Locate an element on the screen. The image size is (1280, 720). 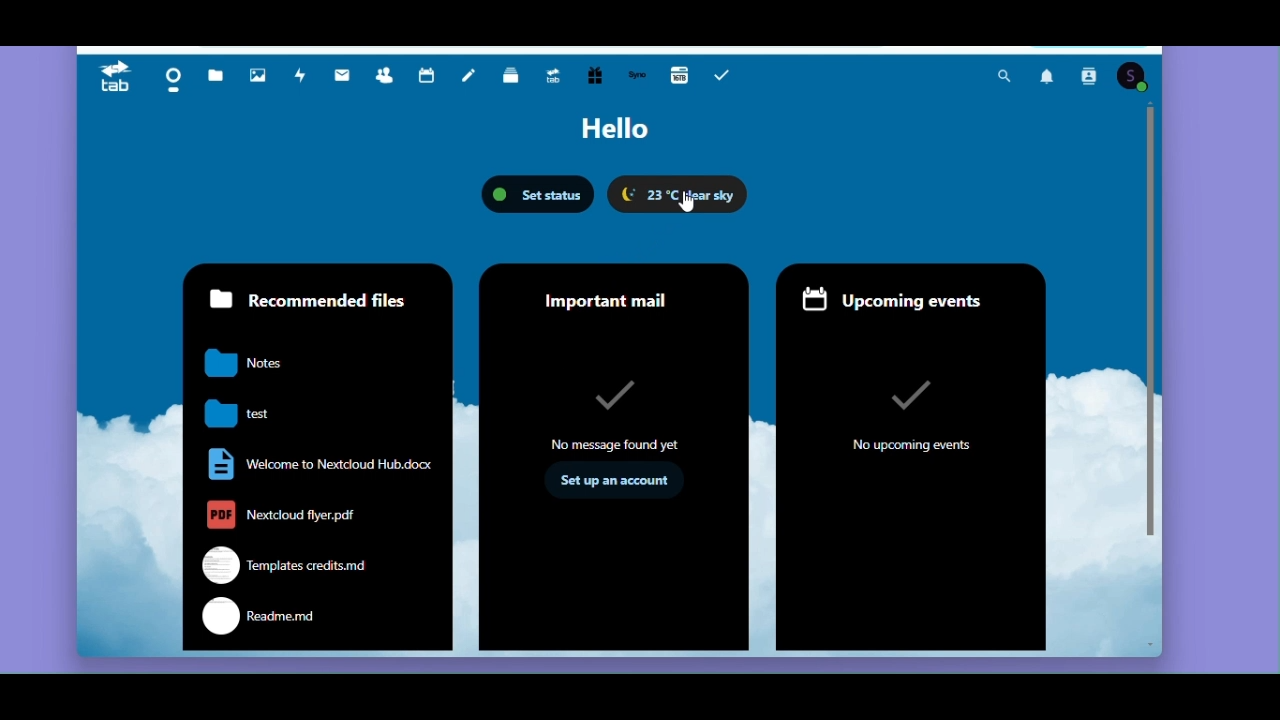
Free trial is located at coordinates (597, 77).